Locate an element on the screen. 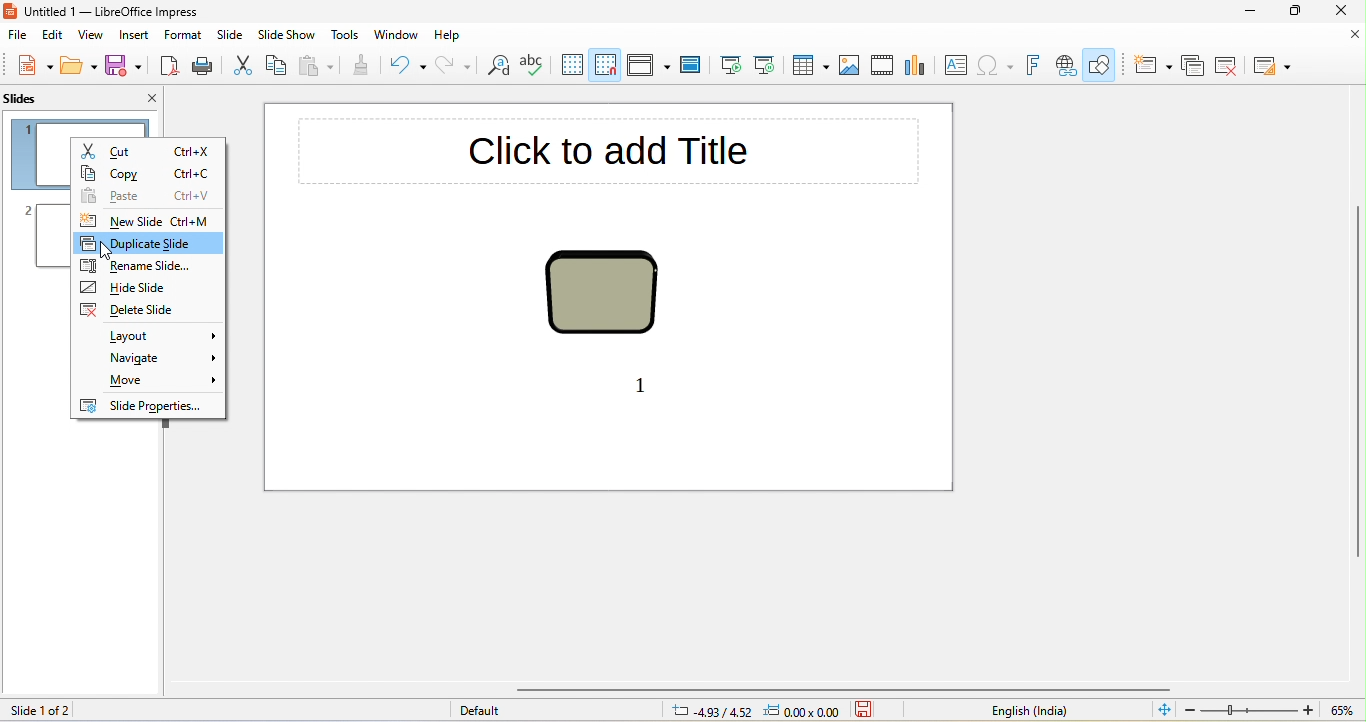  shape is located at coordinates (607, 294).